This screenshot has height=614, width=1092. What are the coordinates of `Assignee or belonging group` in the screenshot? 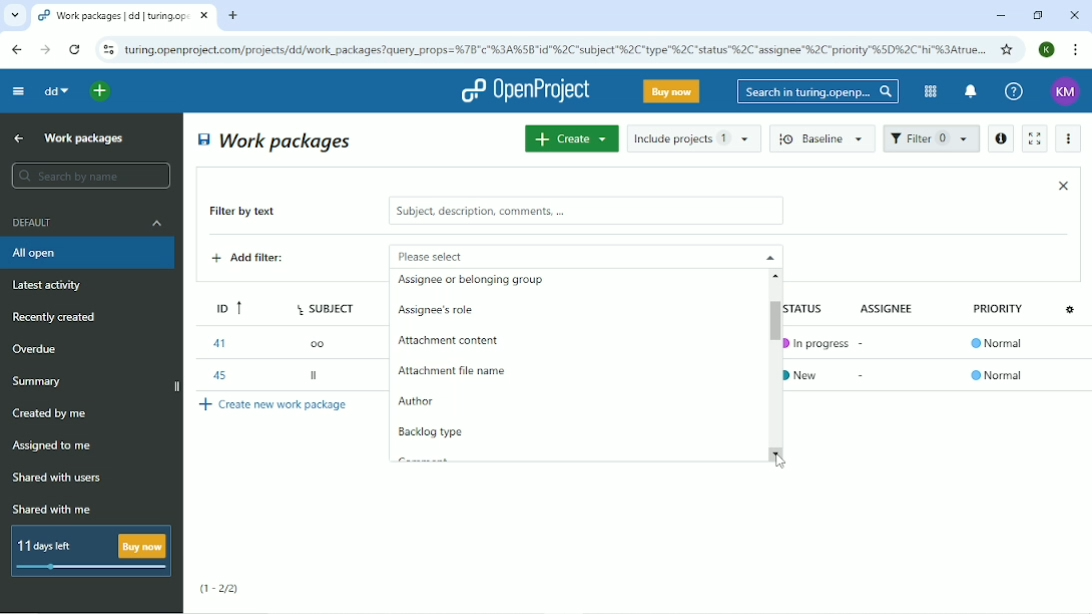 It's located at (471, 285).